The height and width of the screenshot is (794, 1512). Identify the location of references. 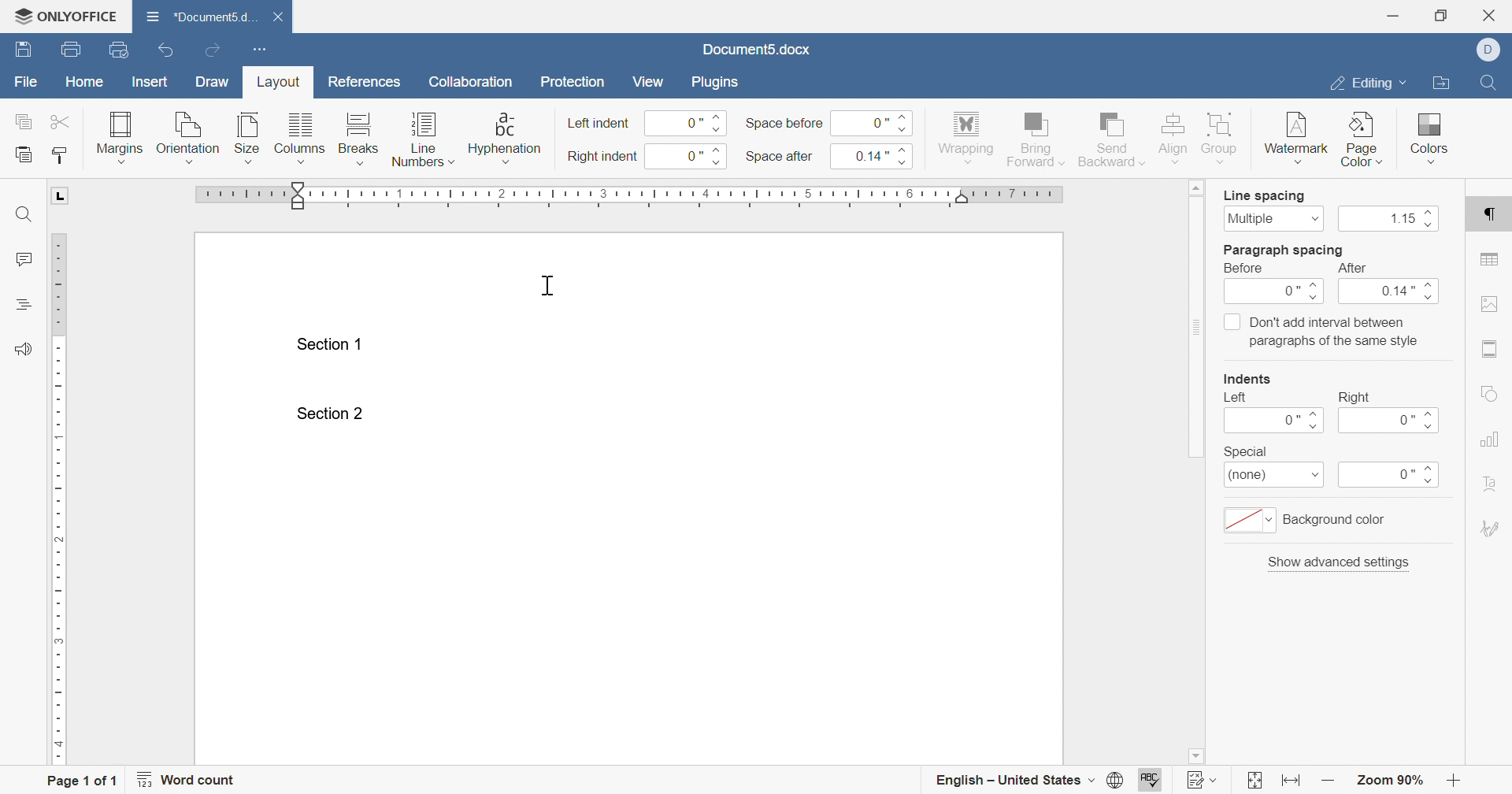
(365, 82).